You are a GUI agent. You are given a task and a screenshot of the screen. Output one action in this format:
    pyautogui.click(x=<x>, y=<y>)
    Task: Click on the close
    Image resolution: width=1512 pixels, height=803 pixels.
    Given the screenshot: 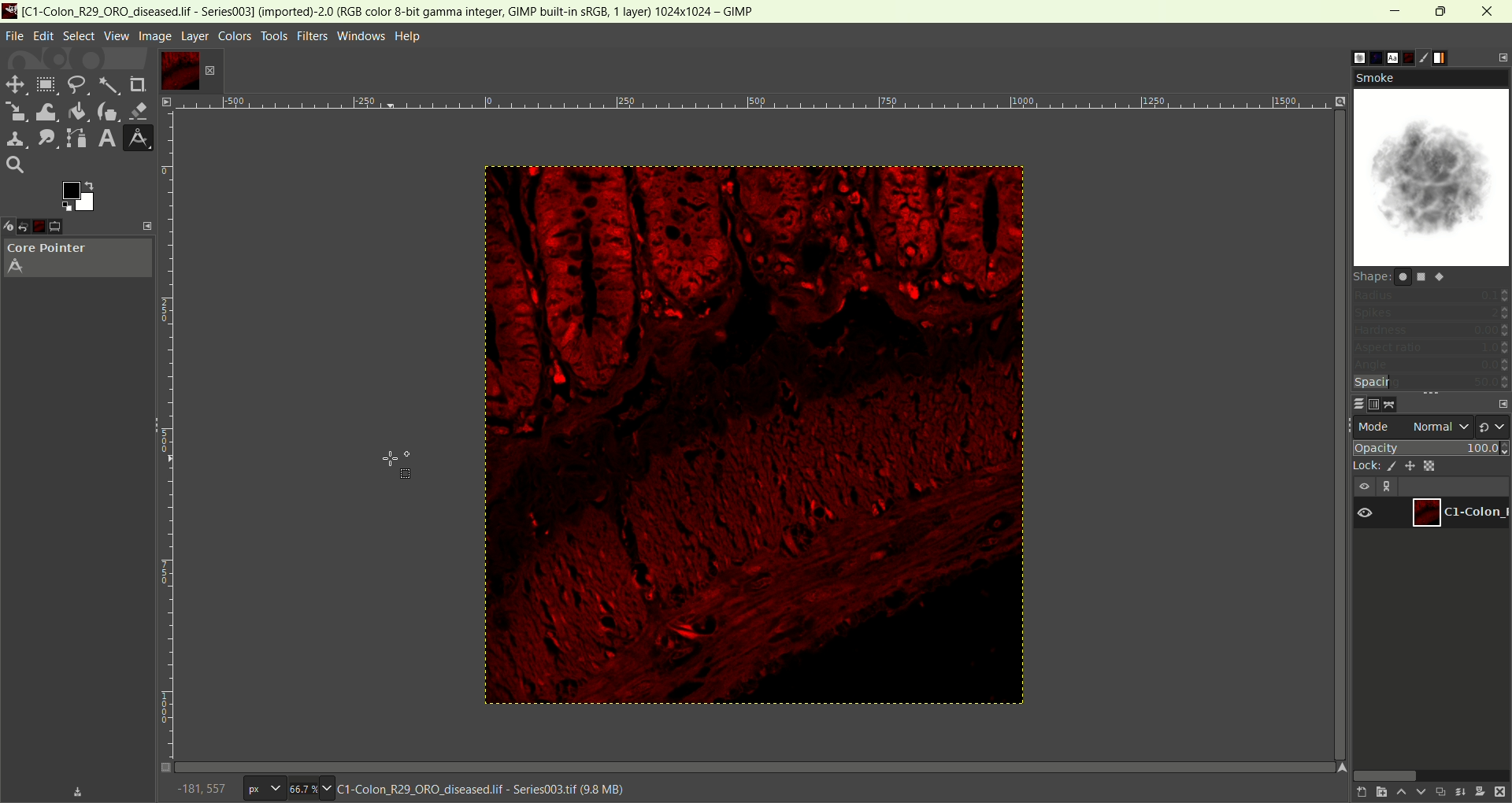 What is the action you would take?
    pyautogui.click(x=1489, y=11)
    